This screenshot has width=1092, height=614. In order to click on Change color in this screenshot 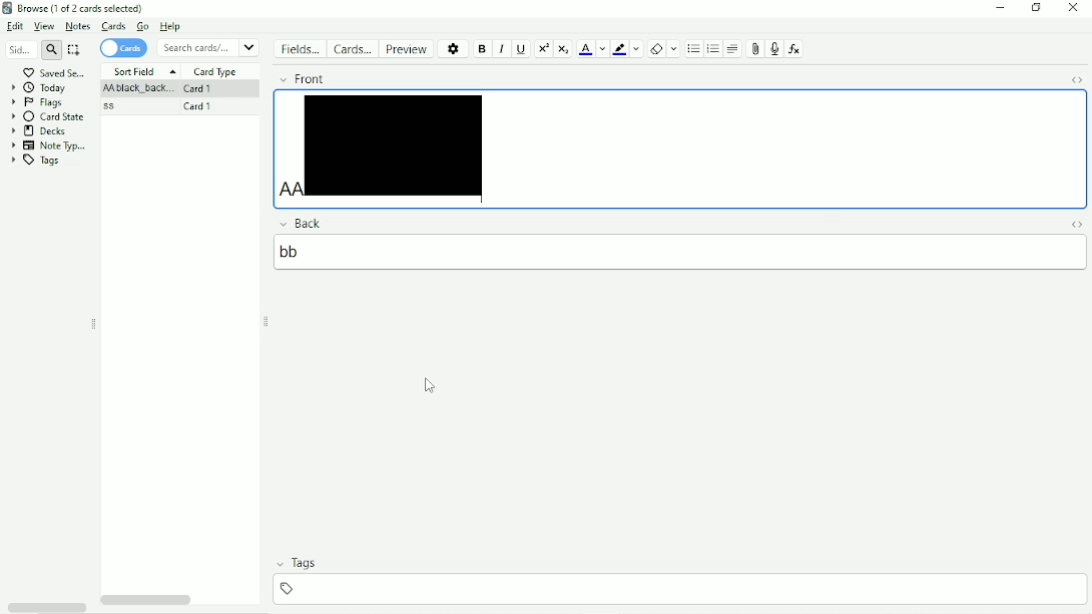, I will do `click(602, 49)`.